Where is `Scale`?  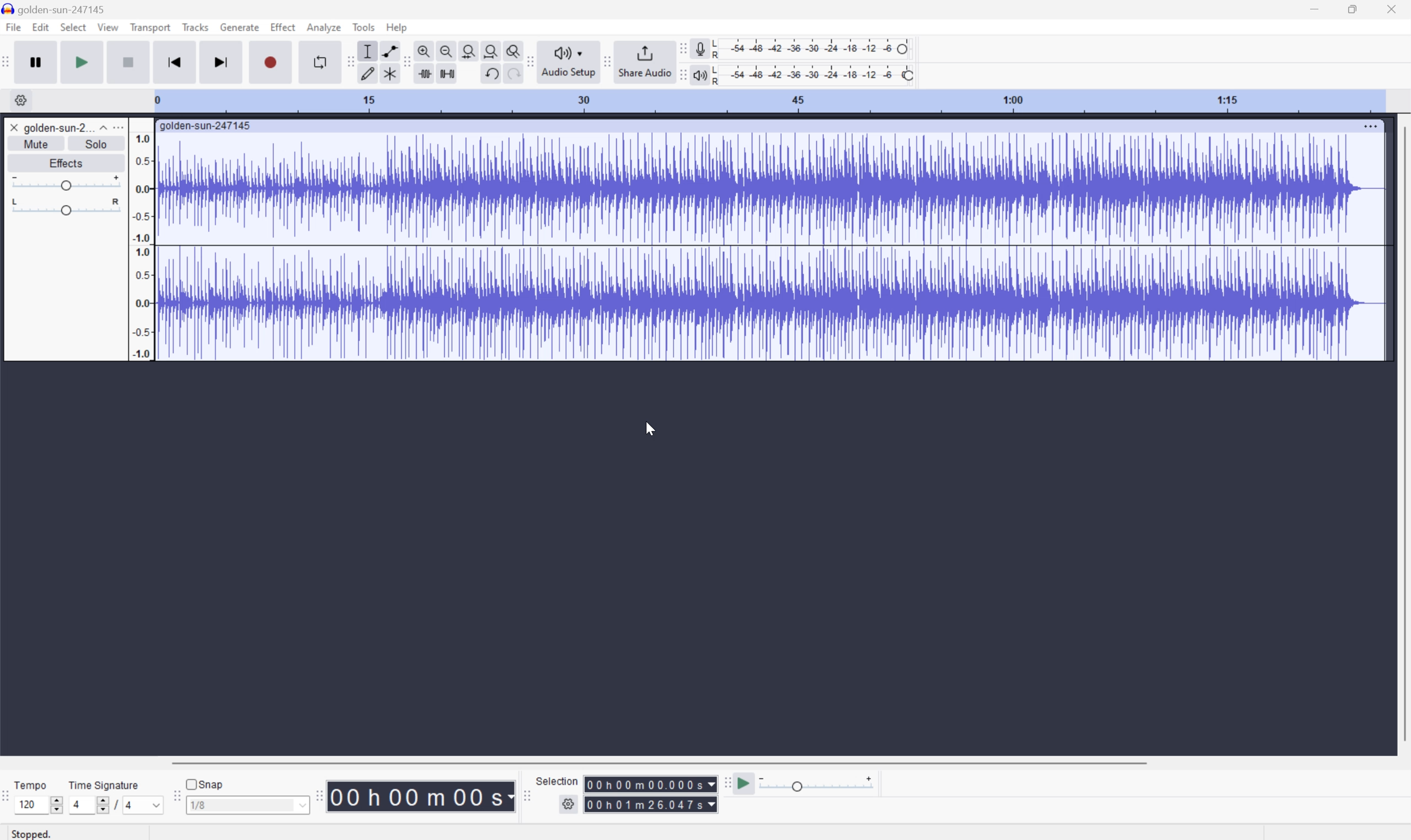
Scale is located at coordinates (767, 100).